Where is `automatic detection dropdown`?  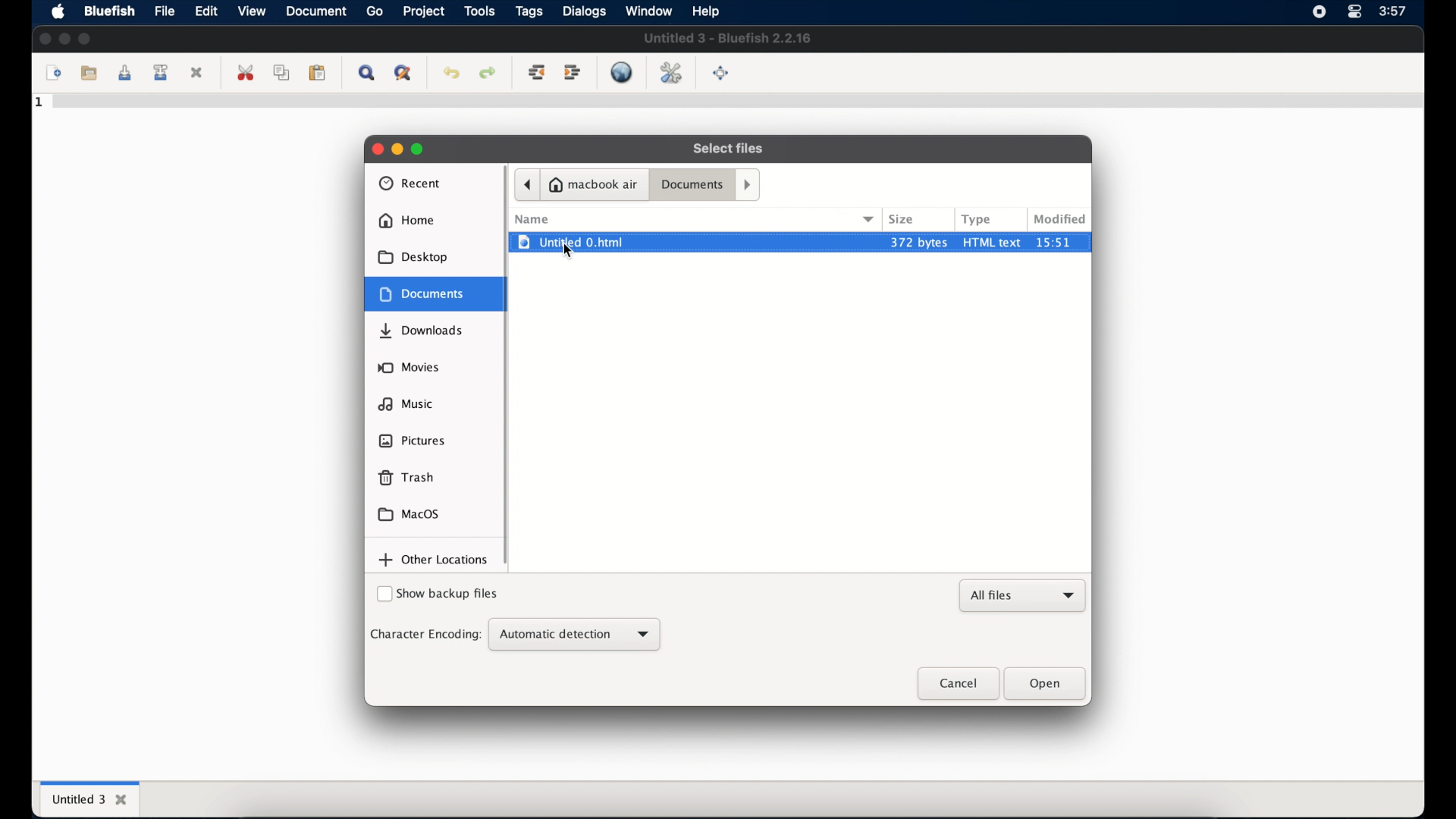 automatic detection dropdown is located at coordinates (574, 635).